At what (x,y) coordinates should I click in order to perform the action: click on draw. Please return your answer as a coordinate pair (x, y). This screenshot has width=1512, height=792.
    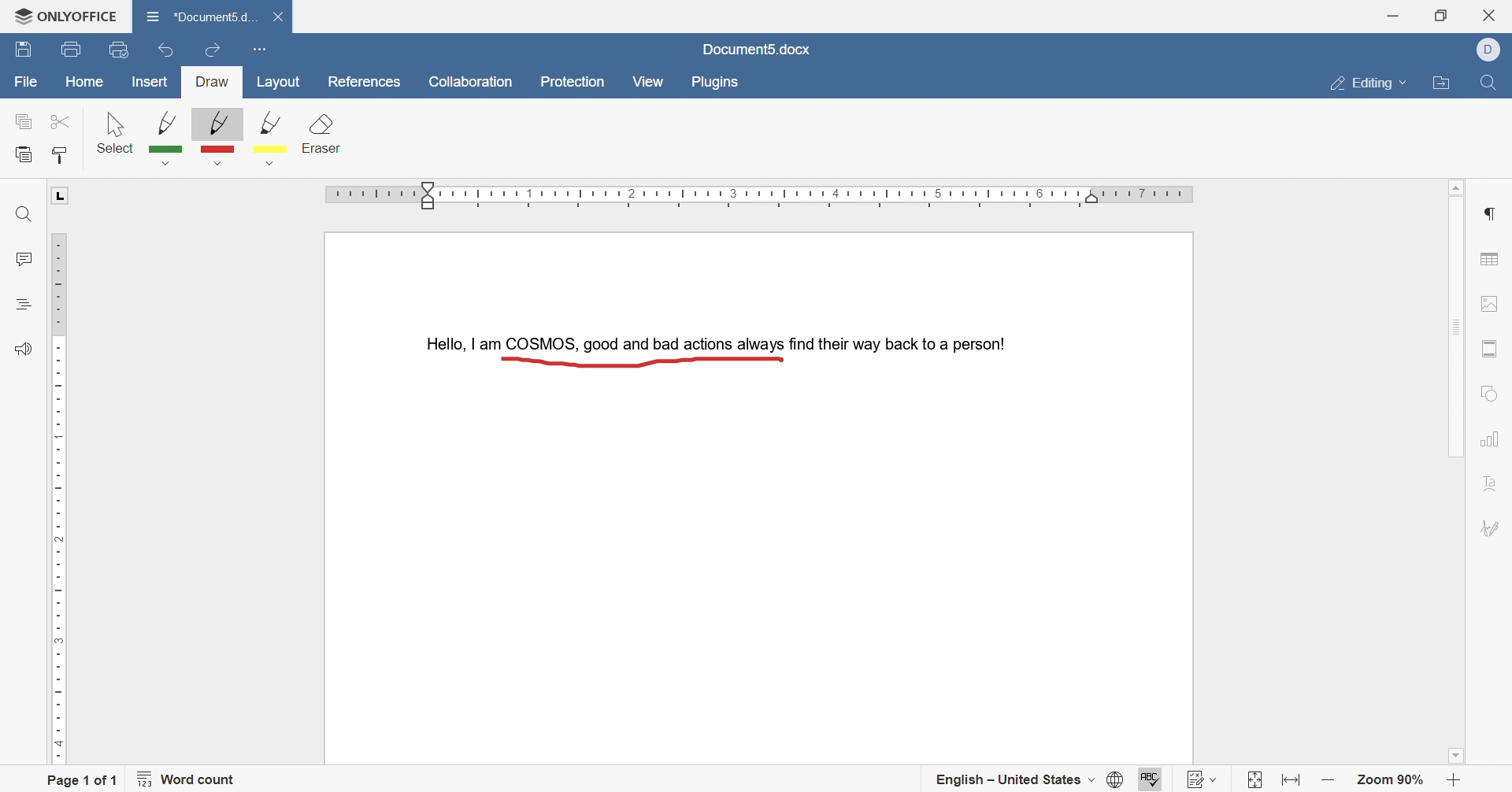
    Looking at the image, I should click on (213, 83).